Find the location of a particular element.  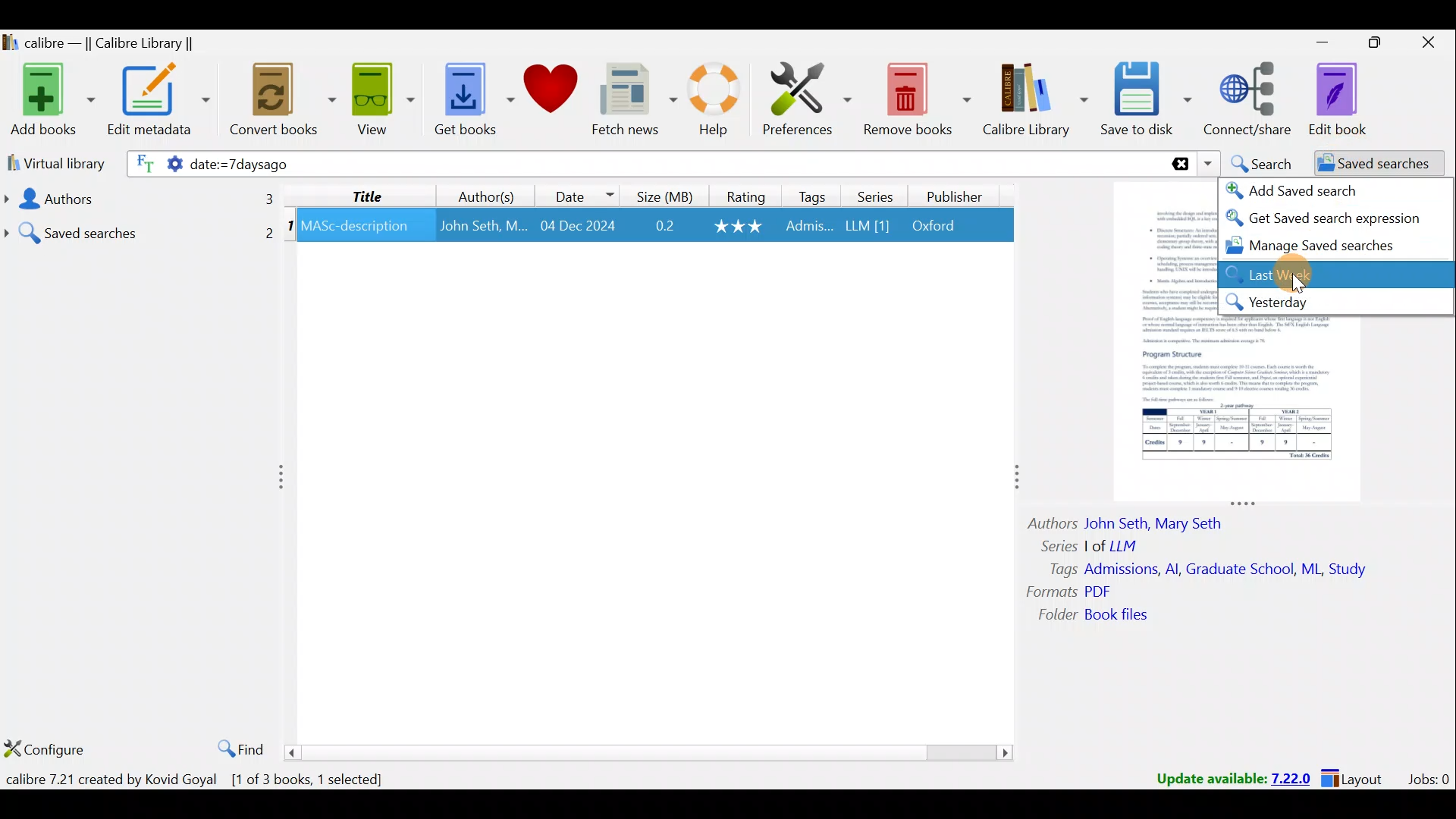

Admis... is located at coordinates (809, 227).